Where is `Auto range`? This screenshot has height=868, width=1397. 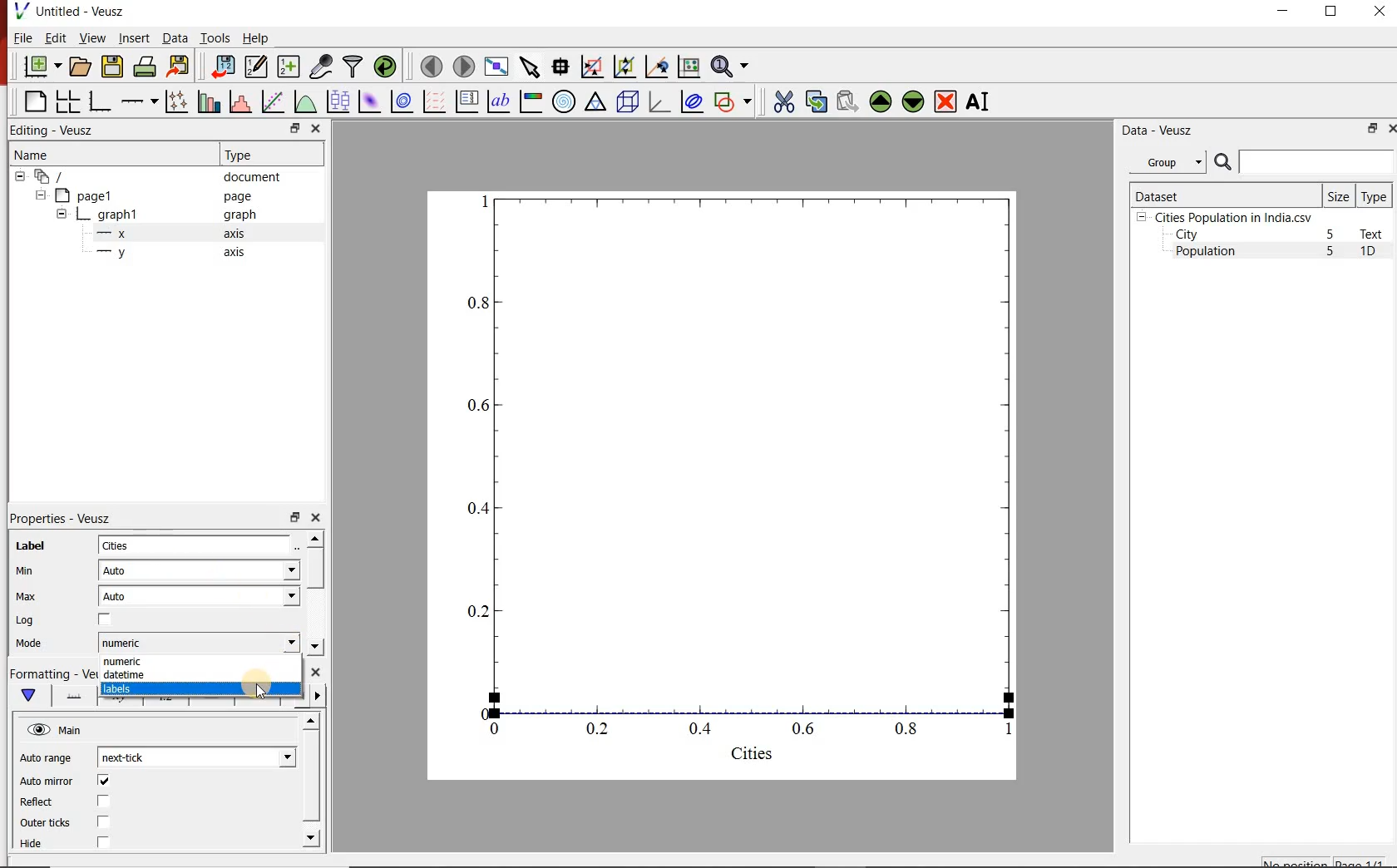
Auto range is located at coordinates (47, 758).